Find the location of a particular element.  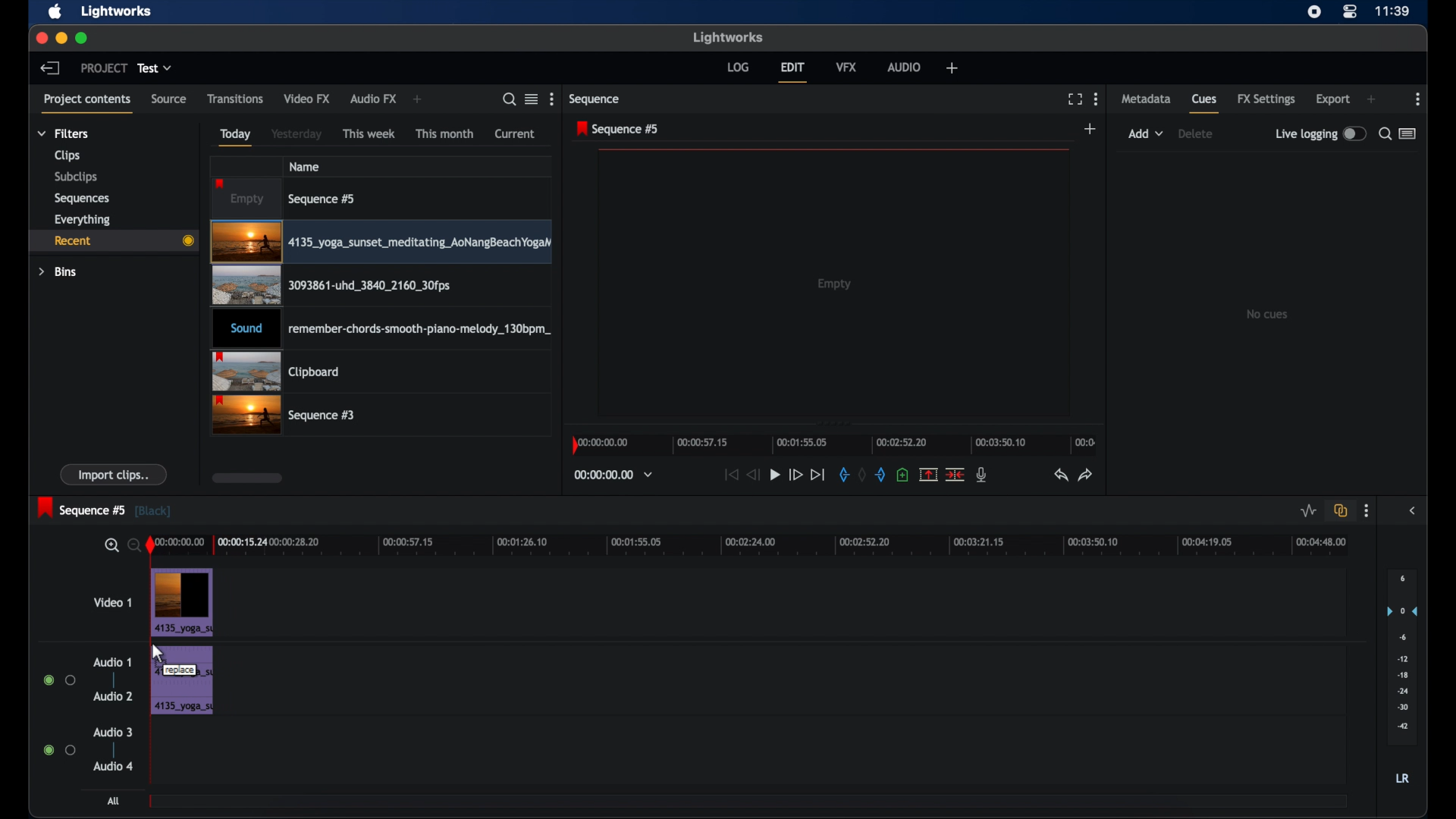

jump to start is located at coordinates (729, 474).